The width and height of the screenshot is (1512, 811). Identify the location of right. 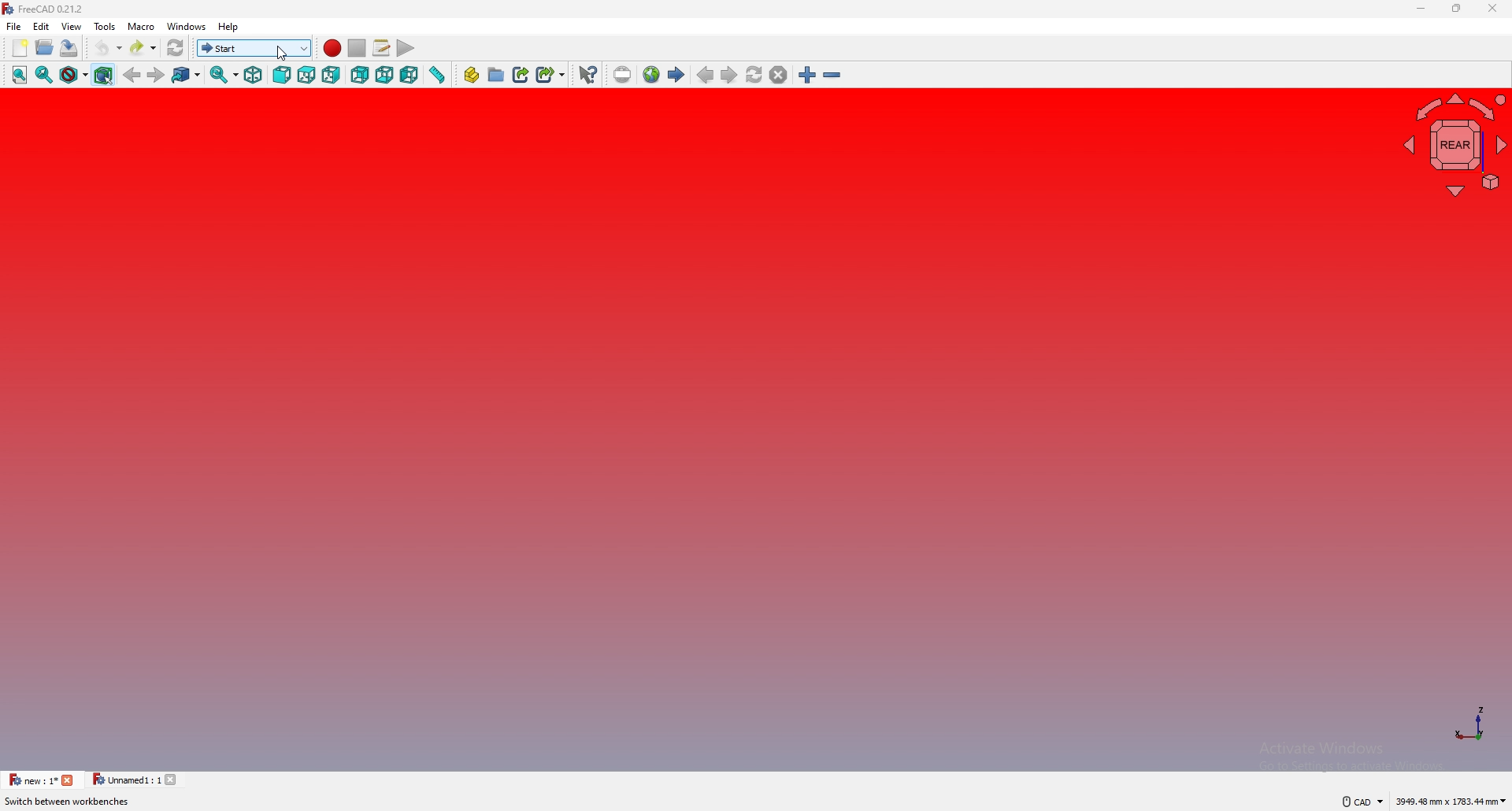
(332, 75).